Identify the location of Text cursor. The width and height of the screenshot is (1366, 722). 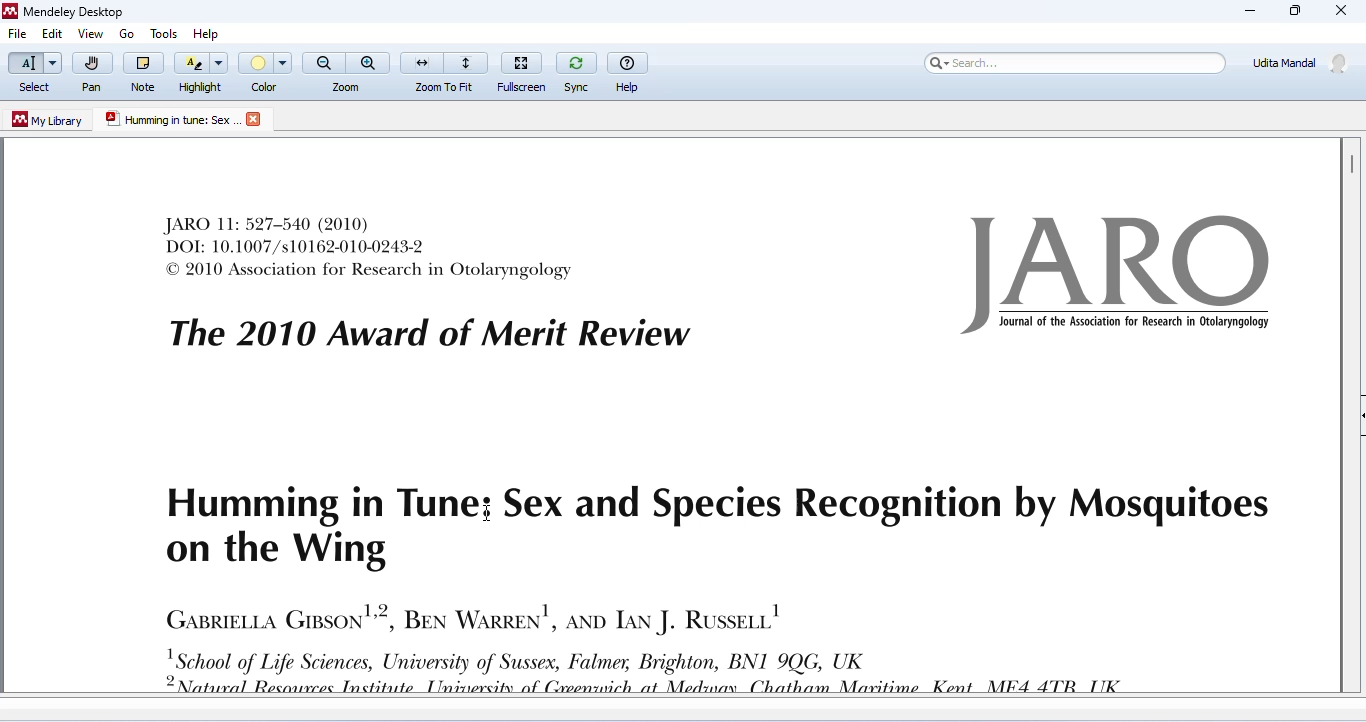
(489, 514).